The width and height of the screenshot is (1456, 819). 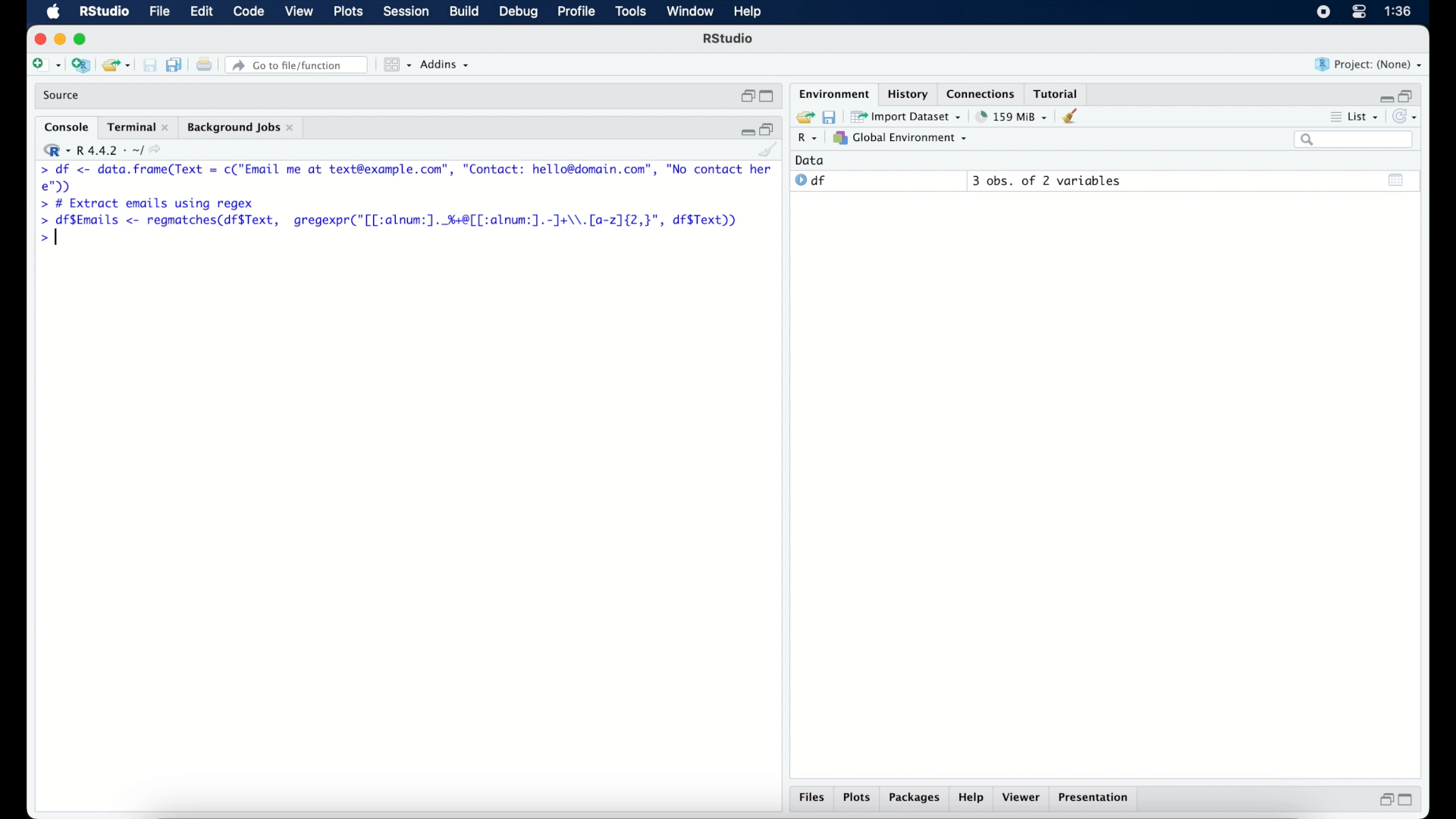 I want to click on save, so click(x=833, y=117).